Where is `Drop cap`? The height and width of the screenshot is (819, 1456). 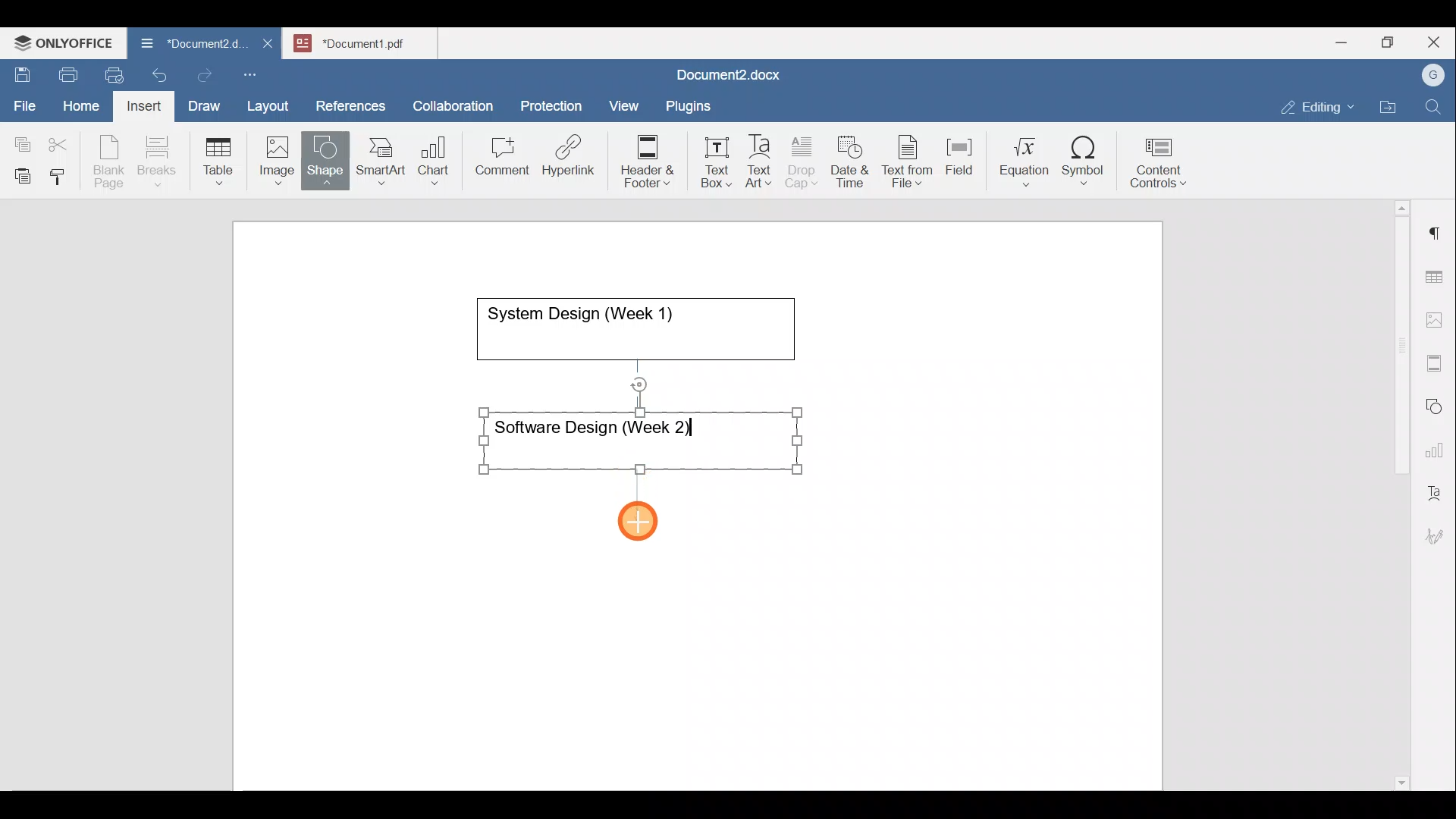 Drop cap is located at coordinates (805, 160).